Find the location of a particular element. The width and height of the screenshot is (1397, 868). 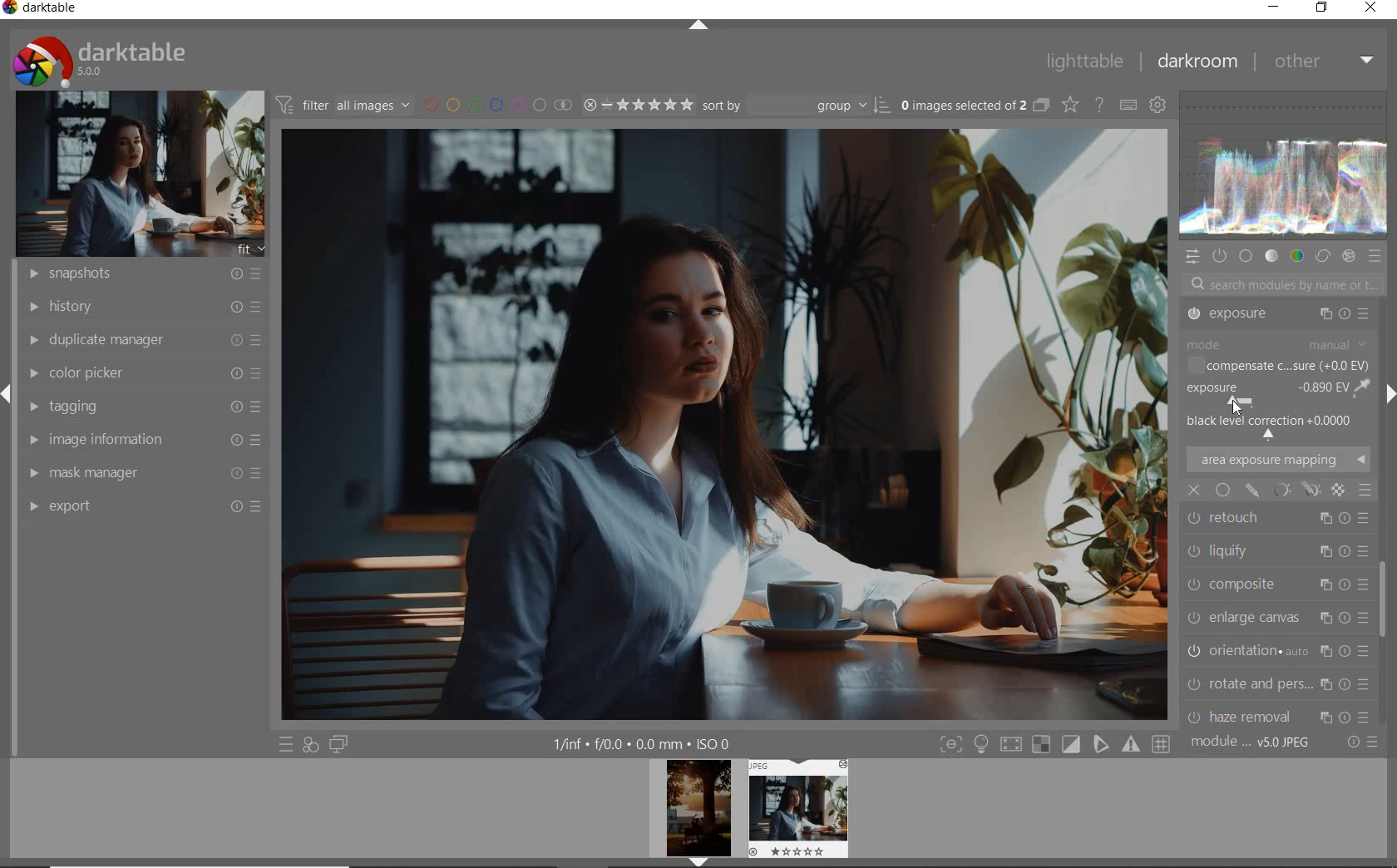

ORIENTATION is located at coordinates (1281, 547).